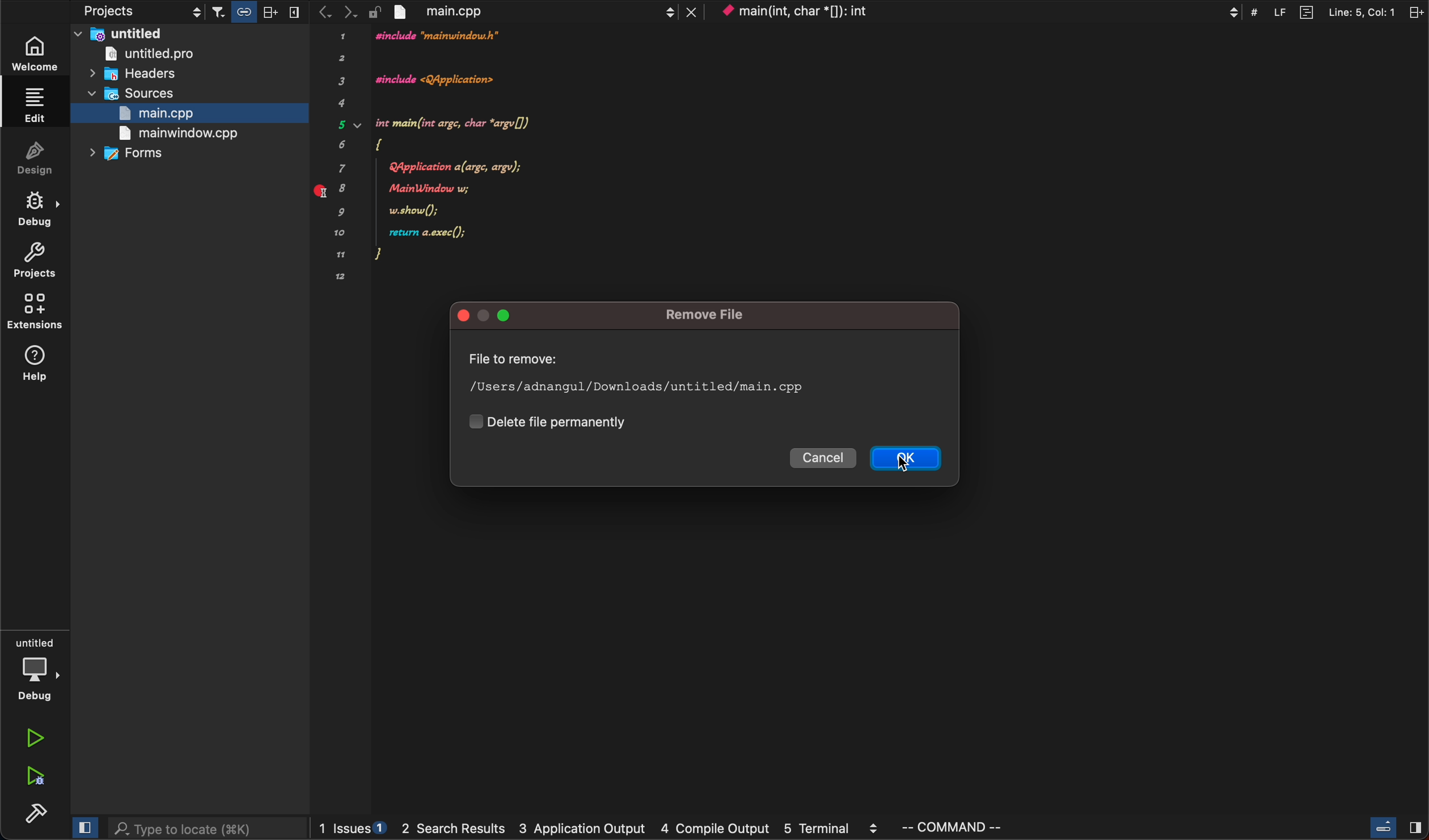 The image size is (1429, 840). What do you see at coordinates (189, 33) in the screenshot?
I see `untitled` at bounding box center [189, 33].